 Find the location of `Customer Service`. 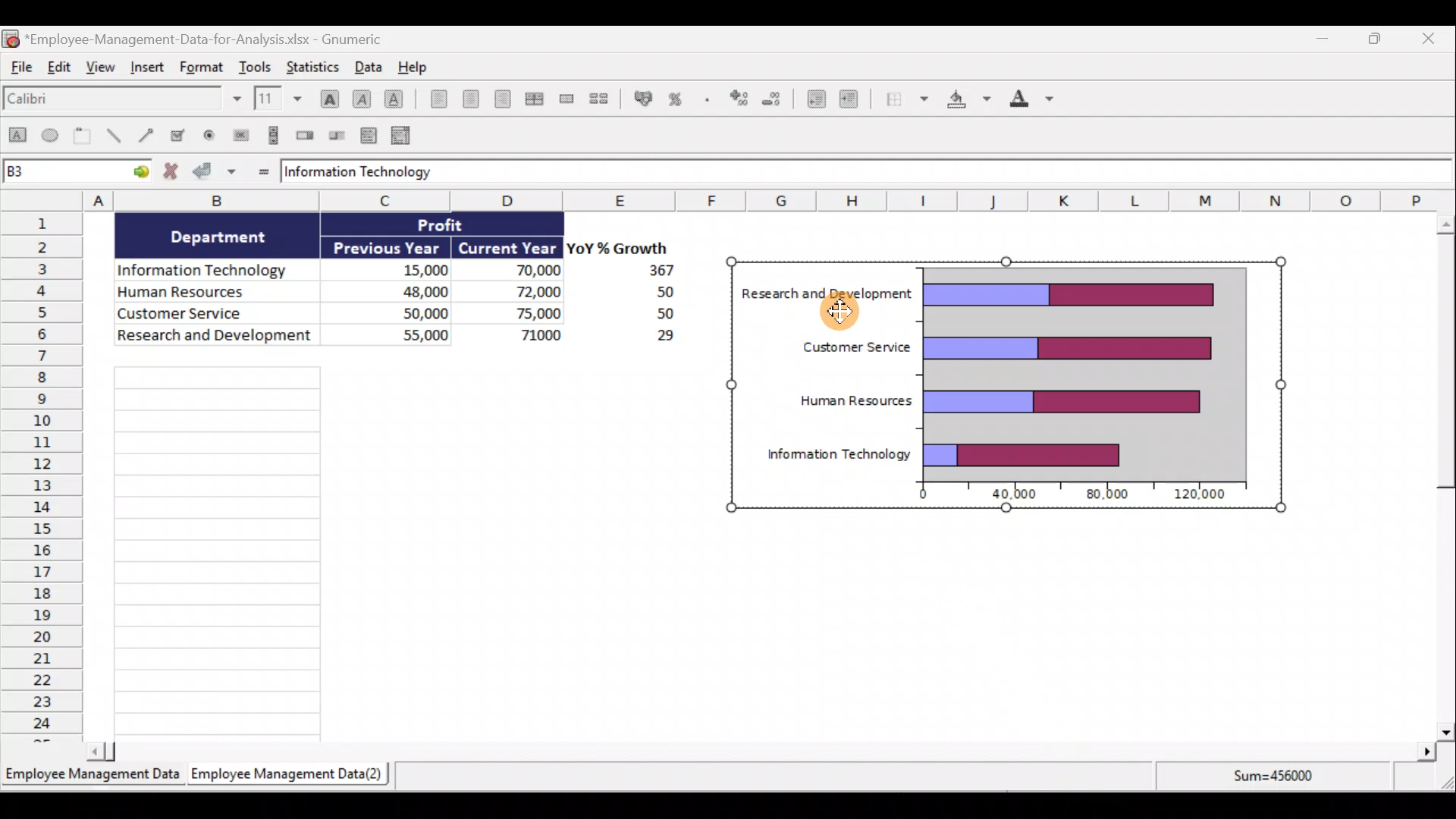

Customer Service is located at coordinates (846, 350).